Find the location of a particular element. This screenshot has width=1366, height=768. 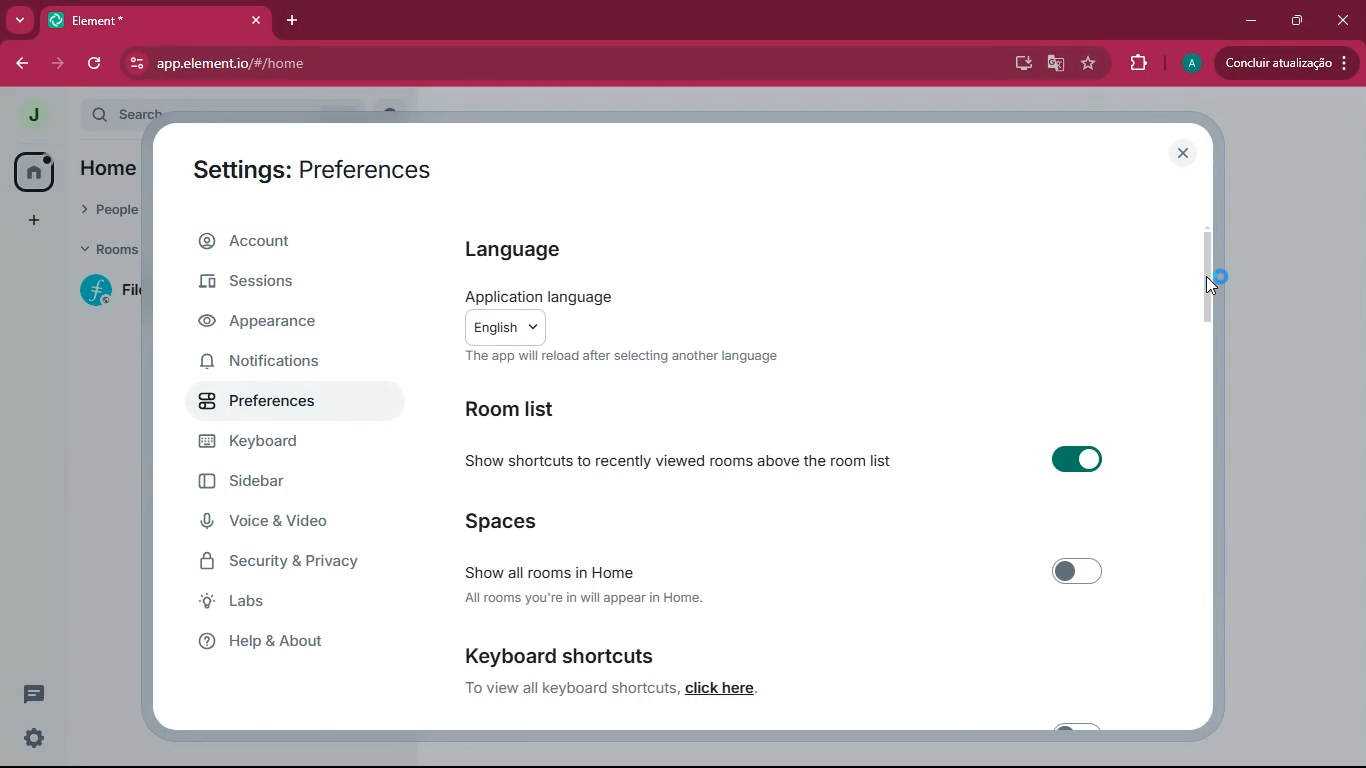

keyboard shortcuts is located at coordinates (561, 654).